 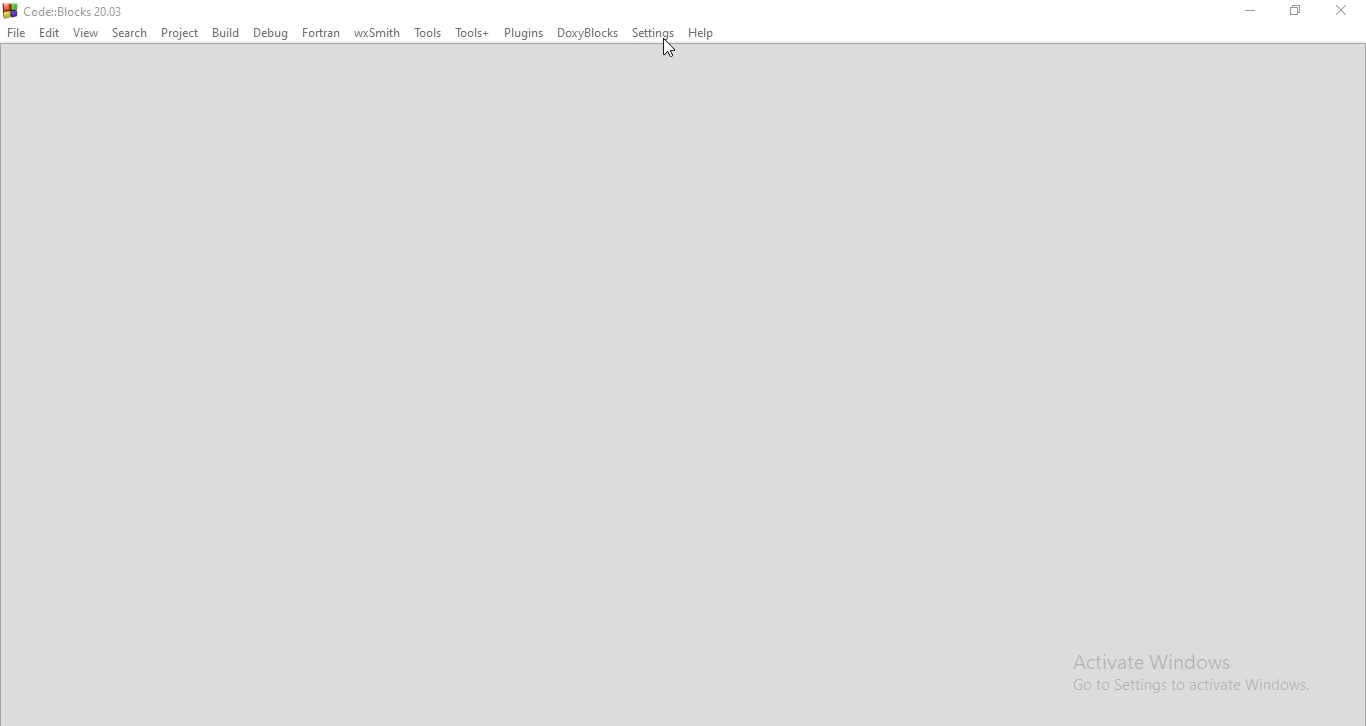 What do you see at coordinates (429, 34) in the screenshot?
I see `Tools` at bounding box center [429, 34].